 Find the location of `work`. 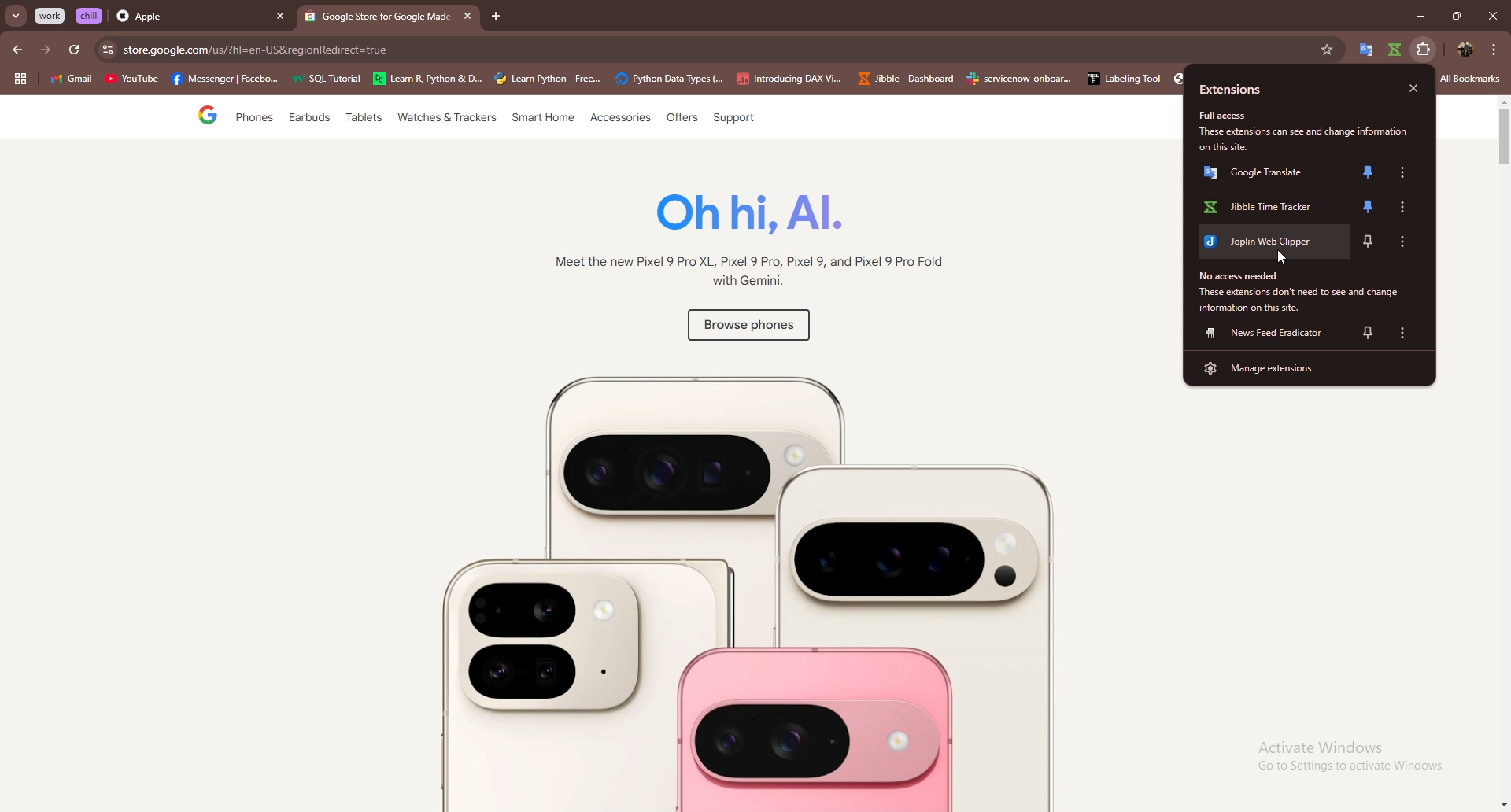

work is located at coordinates (51, 16).